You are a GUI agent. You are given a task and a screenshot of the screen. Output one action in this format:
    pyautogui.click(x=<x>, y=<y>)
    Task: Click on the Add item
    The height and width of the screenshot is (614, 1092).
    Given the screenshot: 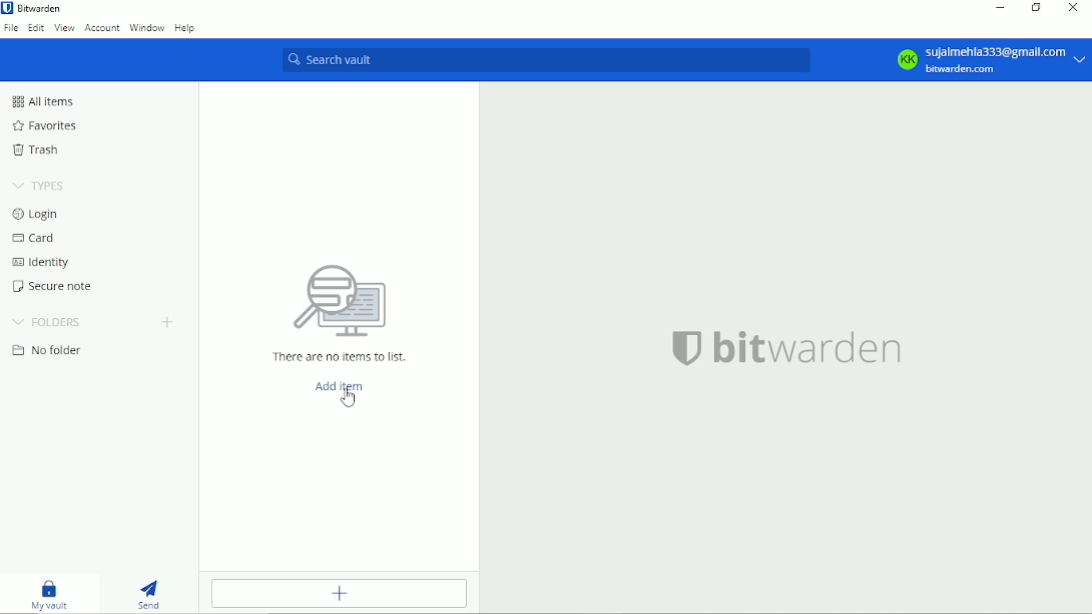 What is the action you would take?
    pyautogui.click(x=339, y=593)
    